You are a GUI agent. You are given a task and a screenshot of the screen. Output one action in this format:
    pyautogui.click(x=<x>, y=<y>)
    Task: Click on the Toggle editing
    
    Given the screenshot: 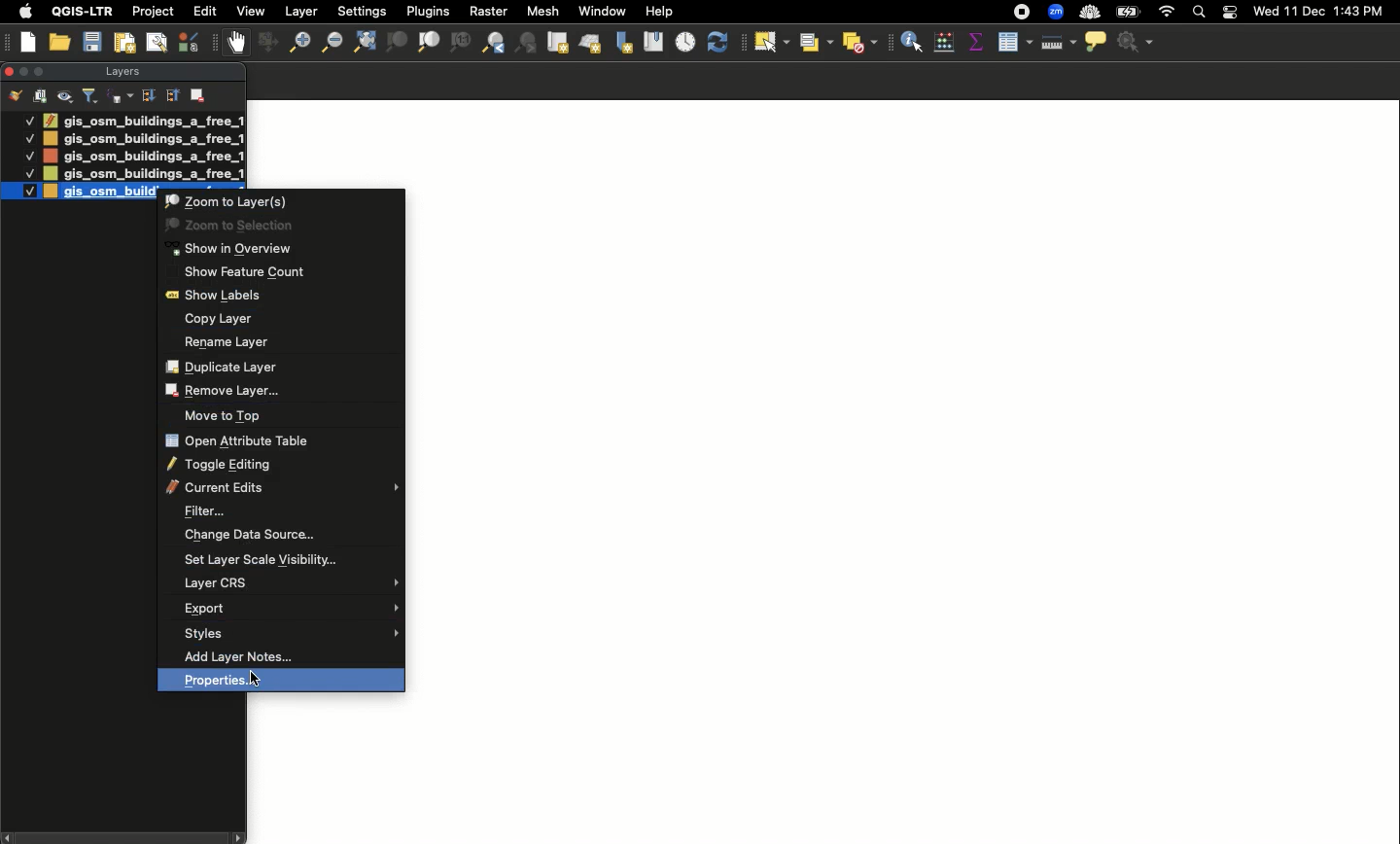 What is the action you would take?
    pyautogui.click(x=276, y=464)
    